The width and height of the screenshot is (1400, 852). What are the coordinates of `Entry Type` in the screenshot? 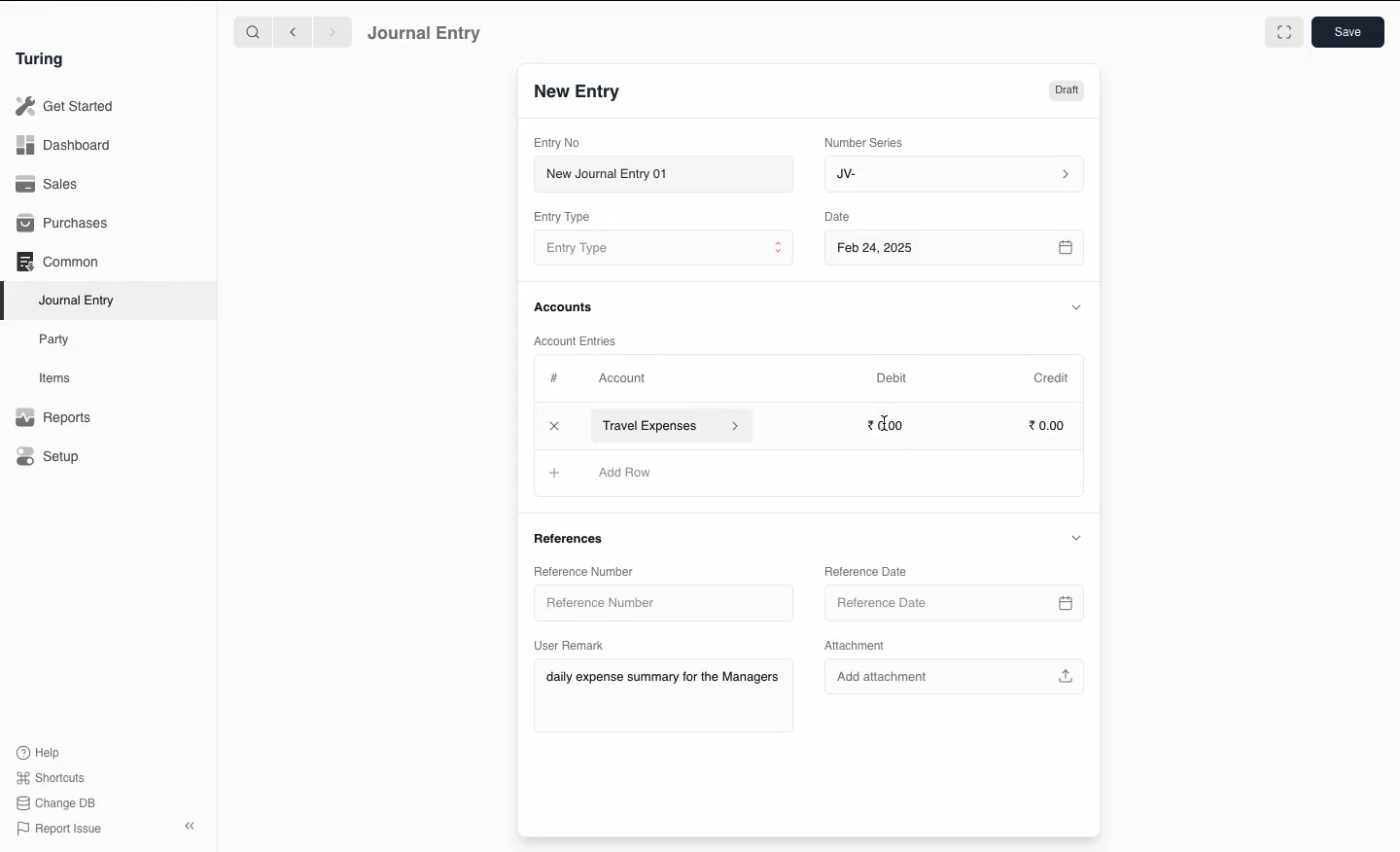 It's located at (663, 247).